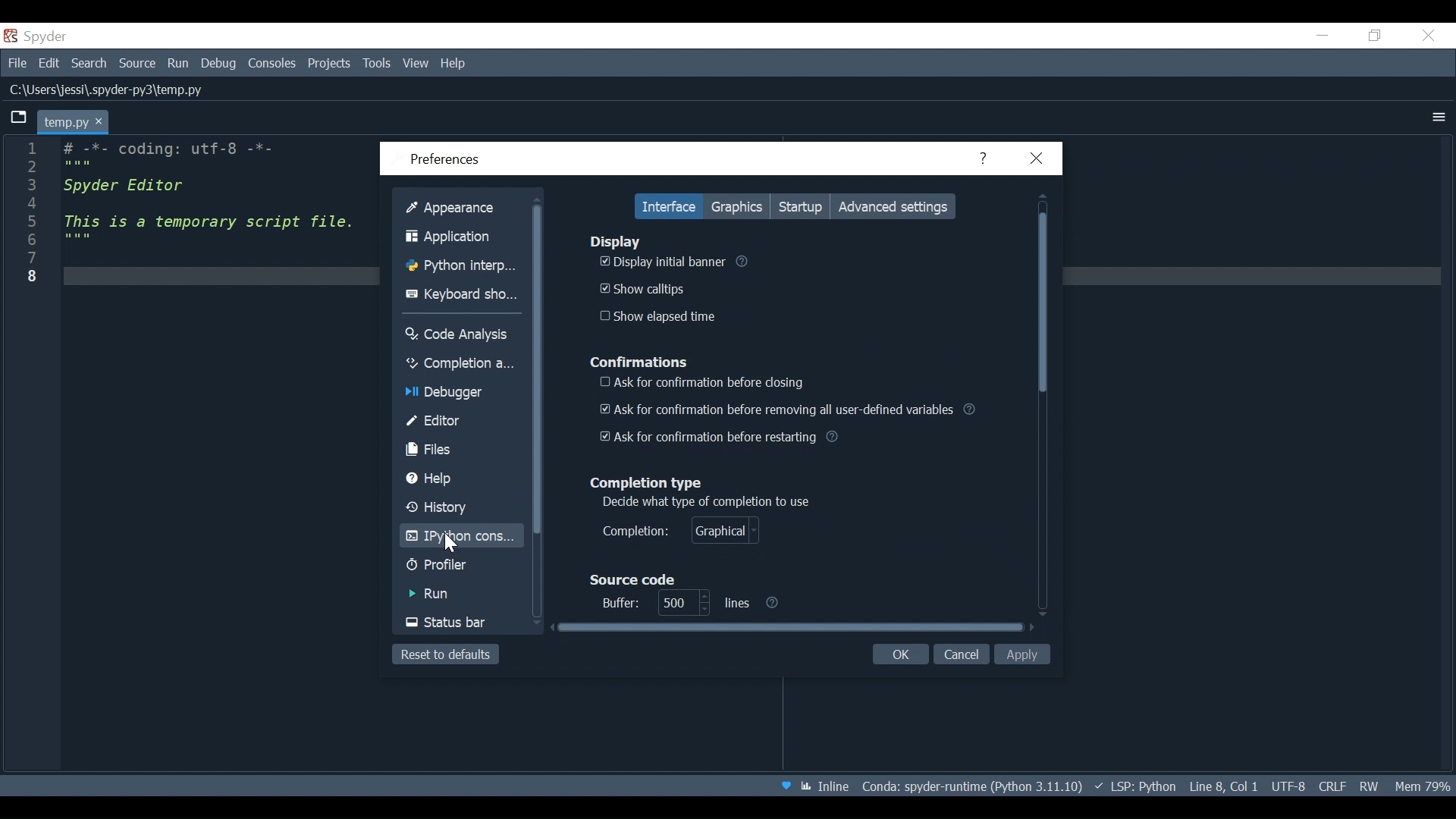  What do you see at coordinates (108, 91) in the screenshot?
I see `File Path` at bounding box center [108, 91].